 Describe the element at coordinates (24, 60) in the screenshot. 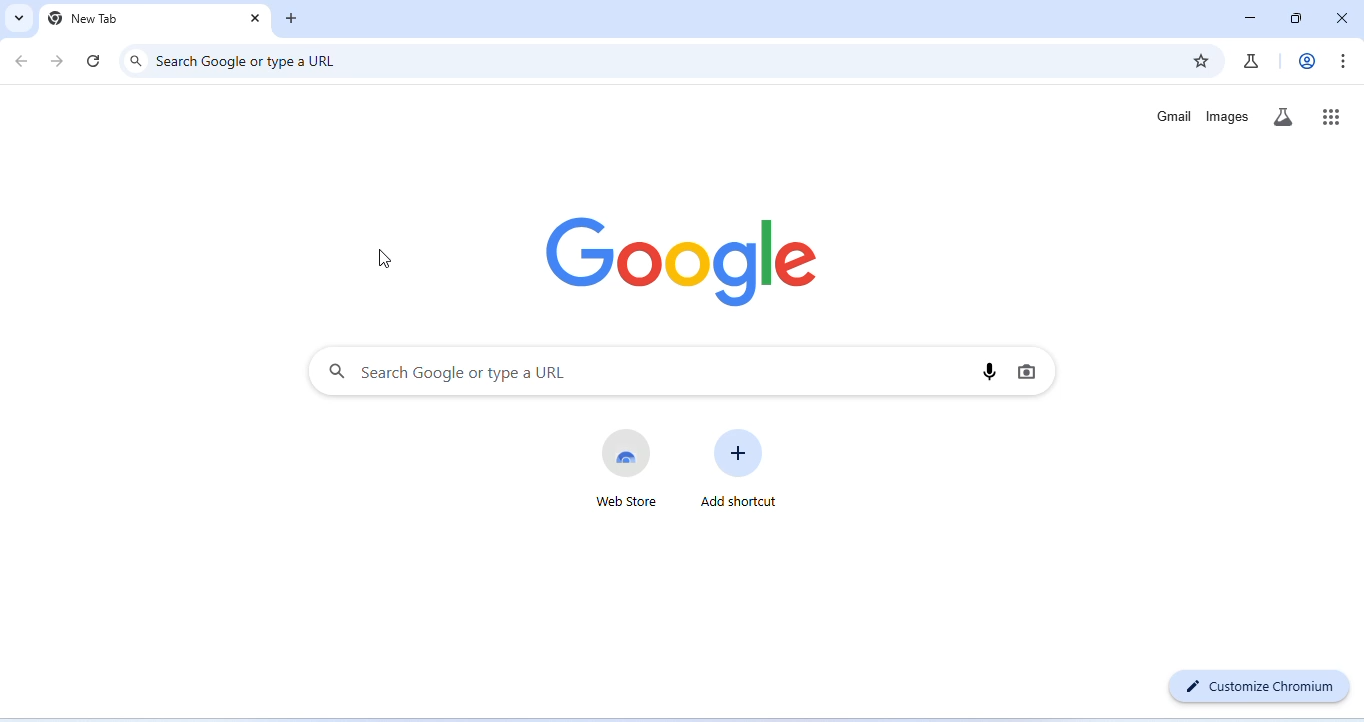

I see `go back` at that location.